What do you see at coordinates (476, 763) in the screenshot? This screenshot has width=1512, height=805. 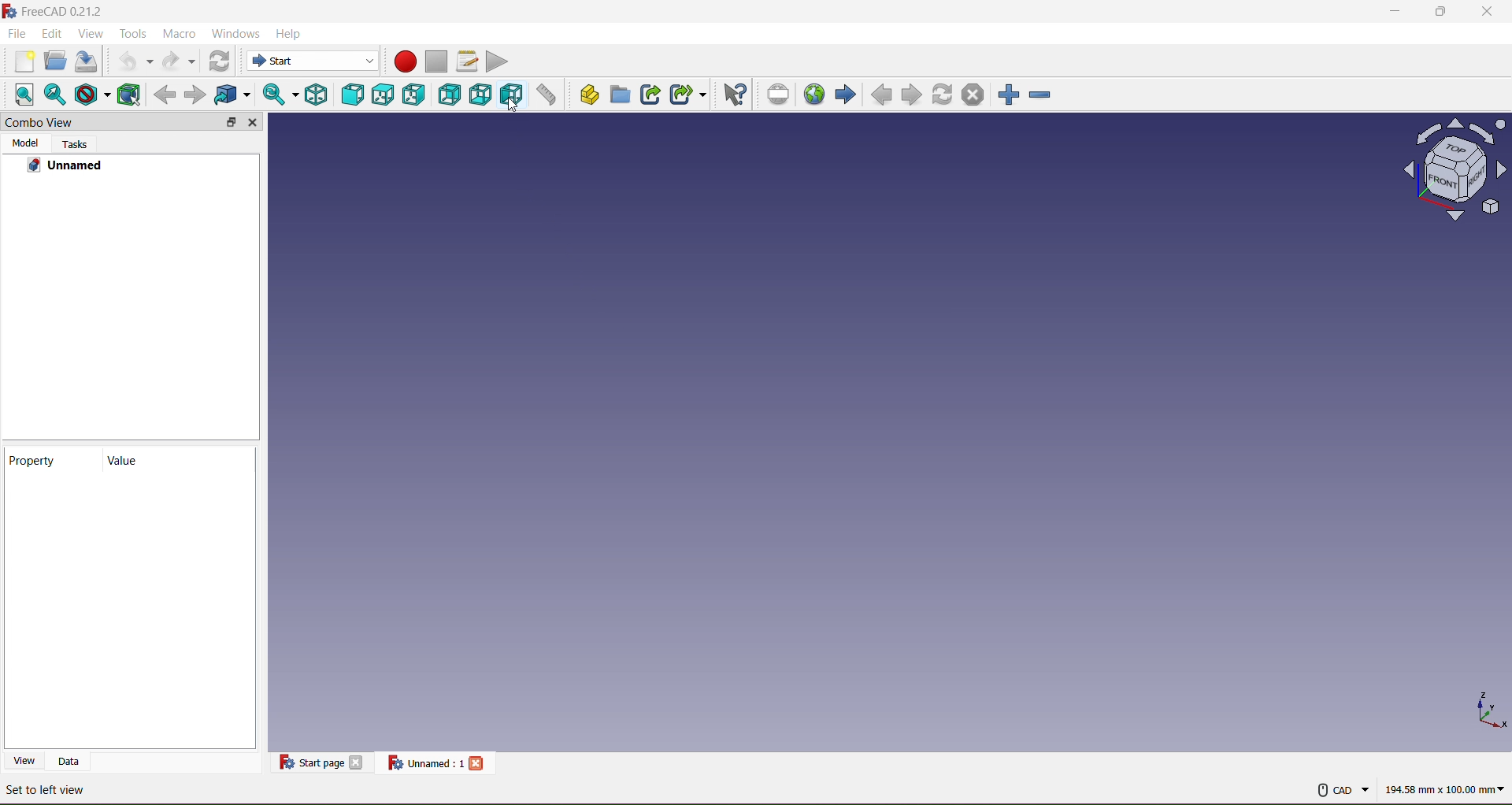 I see `Close` at bounding box center [476, 763].